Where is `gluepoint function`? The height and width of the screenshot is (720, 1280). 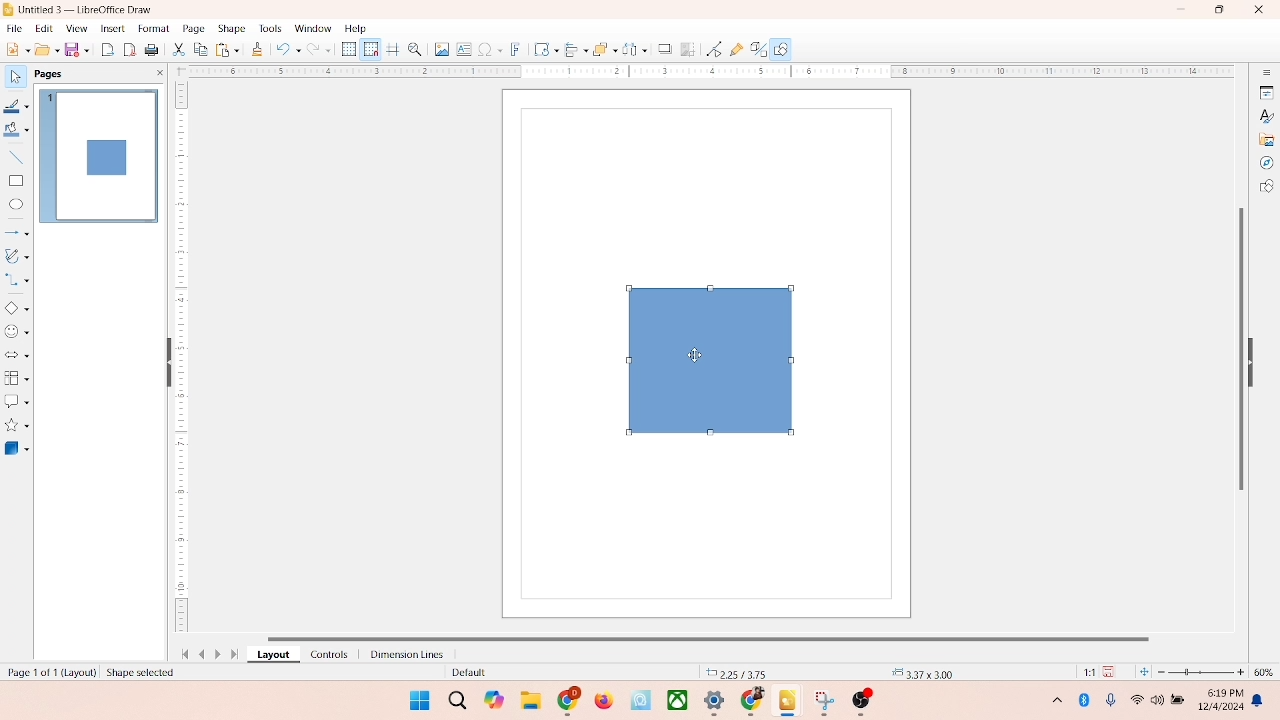
gluepoint function is located at coordinates (735, 50).